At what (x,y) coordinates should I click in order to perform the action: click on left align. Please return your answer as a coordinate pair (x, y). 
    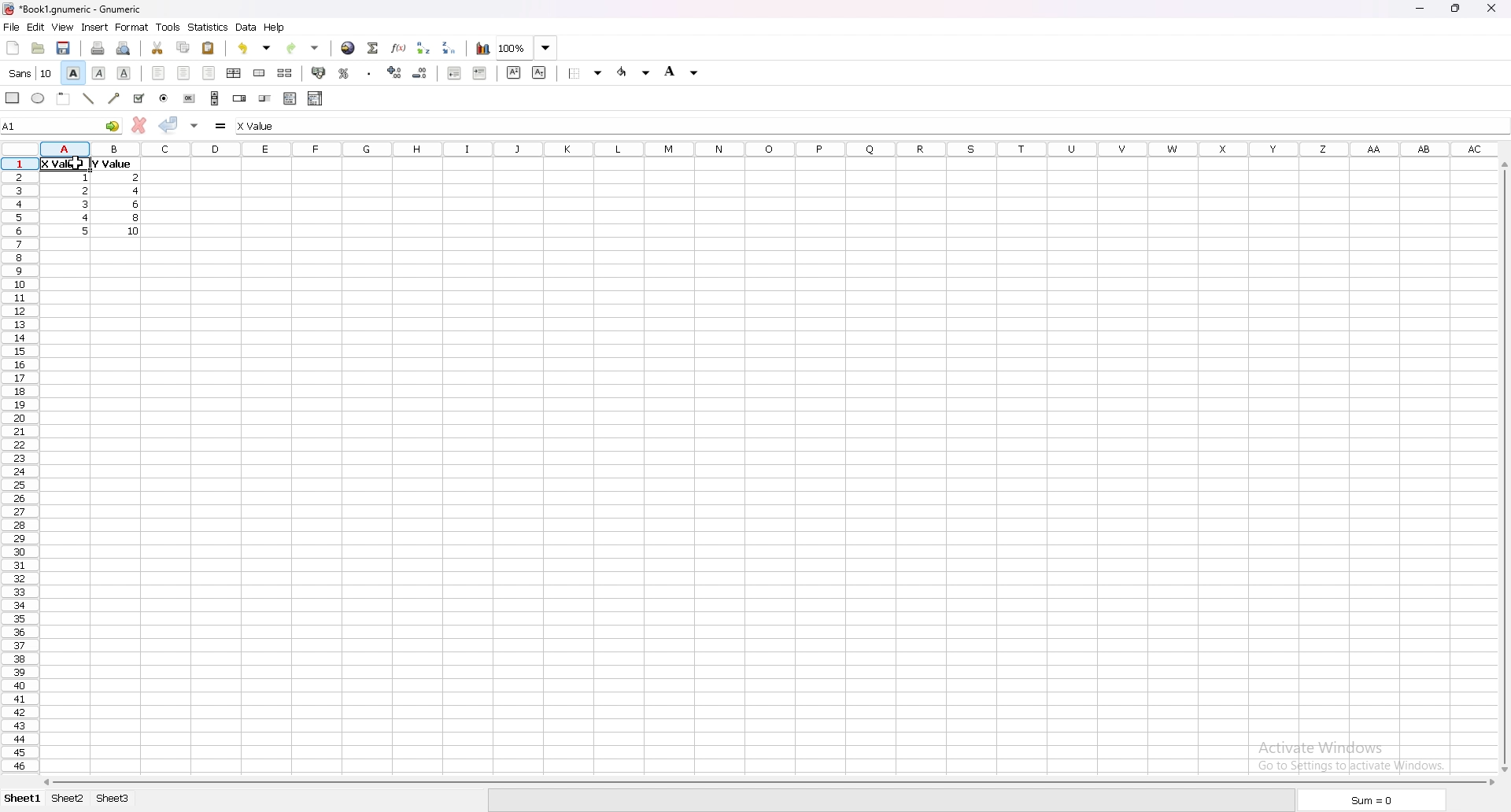
    Looking at the image, I should click on (158, 72).